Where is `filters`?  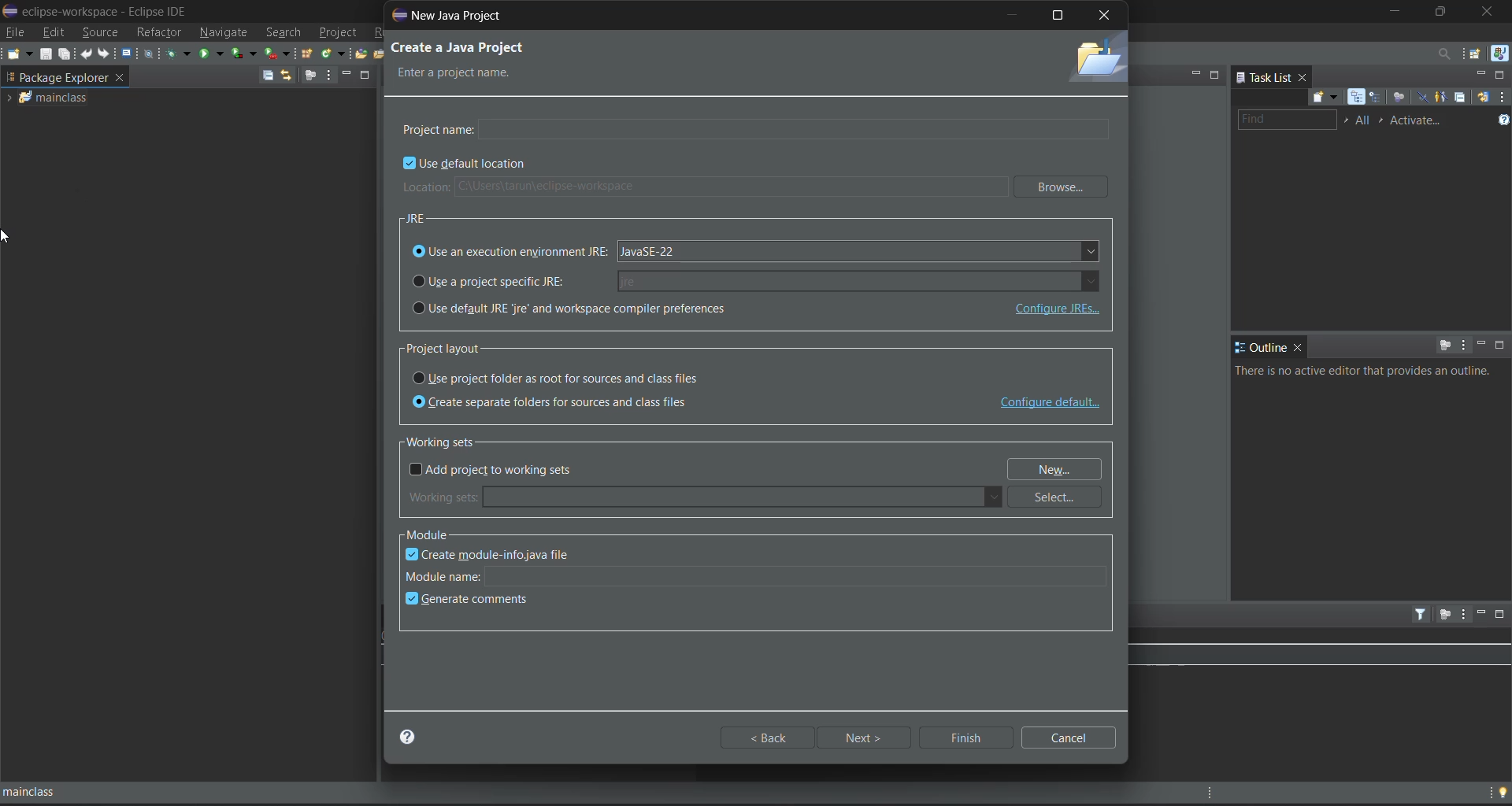
filters is located at coordinates (1422, 614).